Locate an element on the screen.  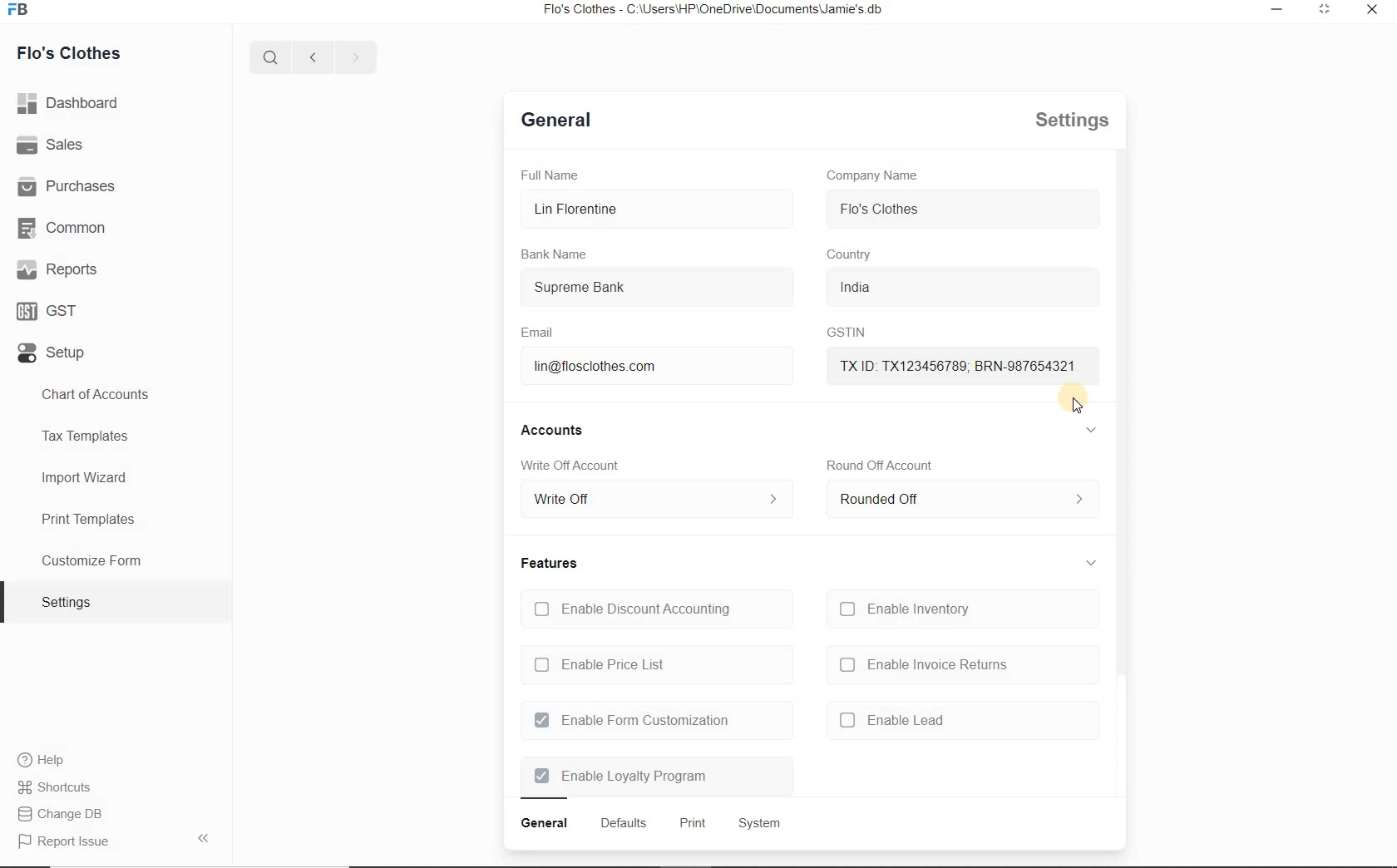
print is located at coordinates (691, 825).